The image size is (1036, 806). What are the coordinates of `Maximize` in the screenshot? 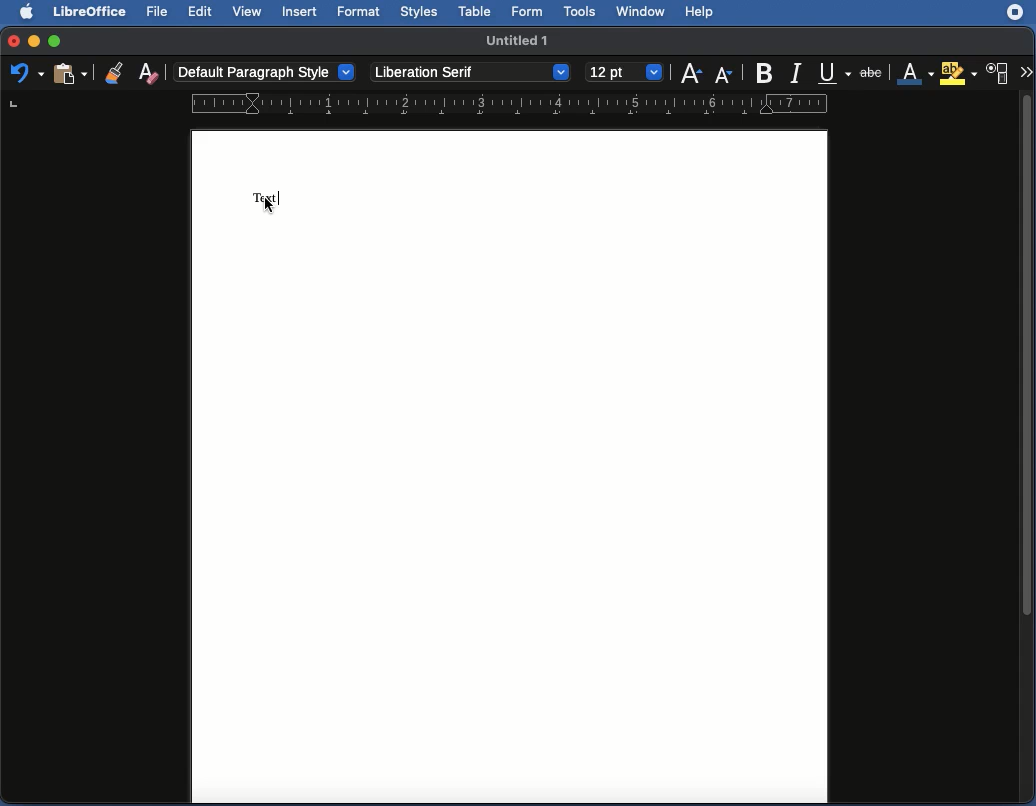 It's located at (56, 39).